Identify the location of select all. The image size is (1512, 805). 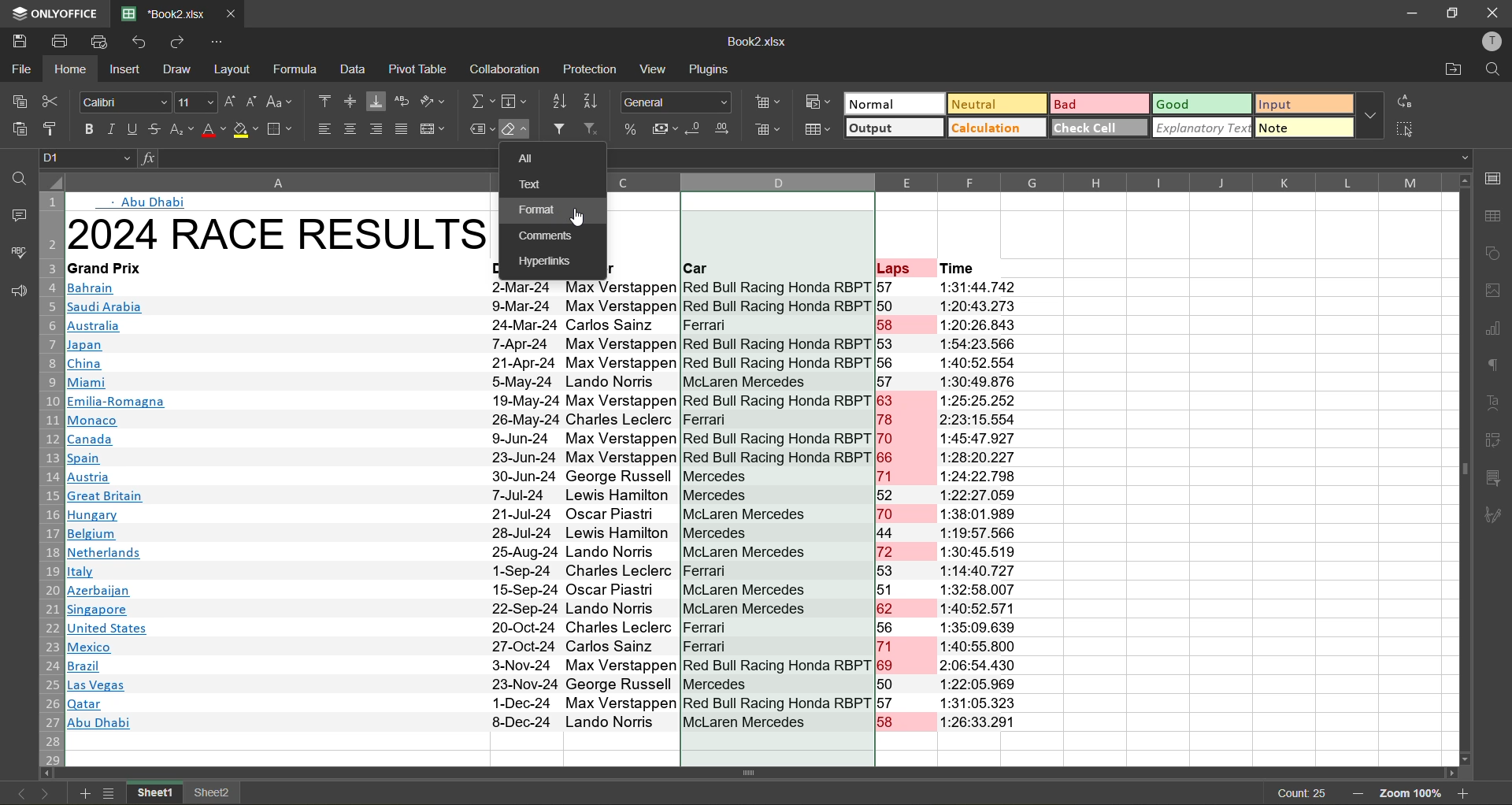
(1404, 128).